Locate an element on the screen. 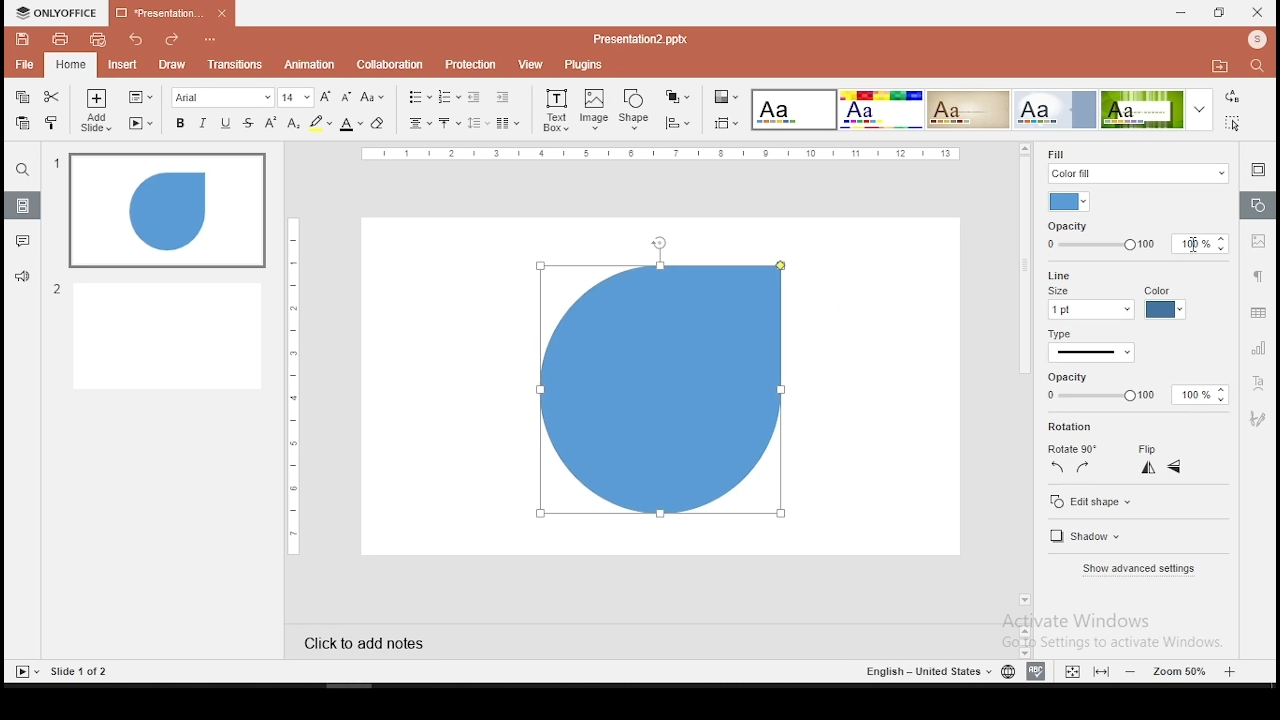 The width and height of the screenshot is (1280, 720). chart settings is located at coordinates (1257, 349).